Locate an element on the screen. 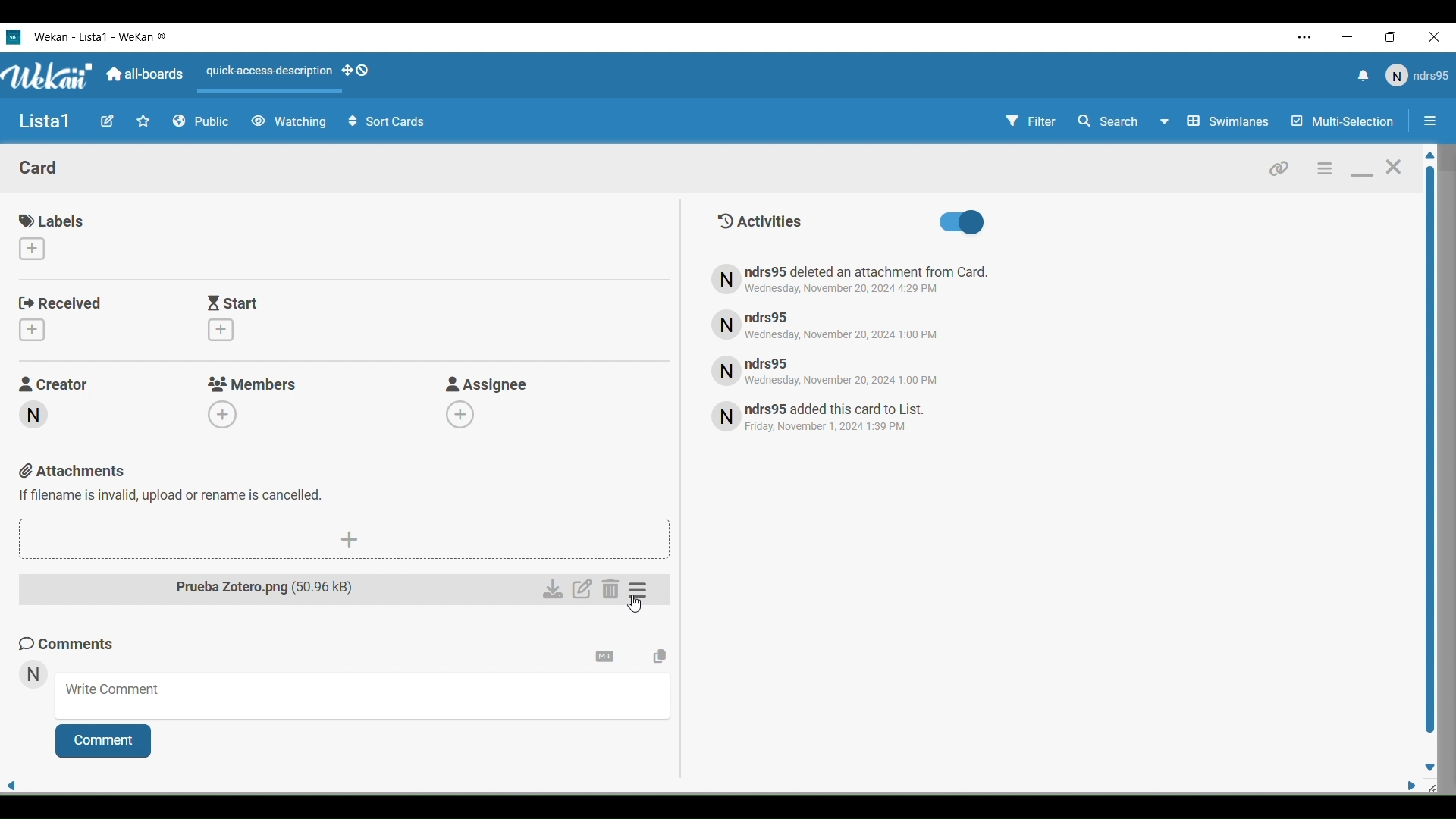 The width and height of the screenshot is (1456, 819). Vertical slide bar is located at coordinates (1429, 443).